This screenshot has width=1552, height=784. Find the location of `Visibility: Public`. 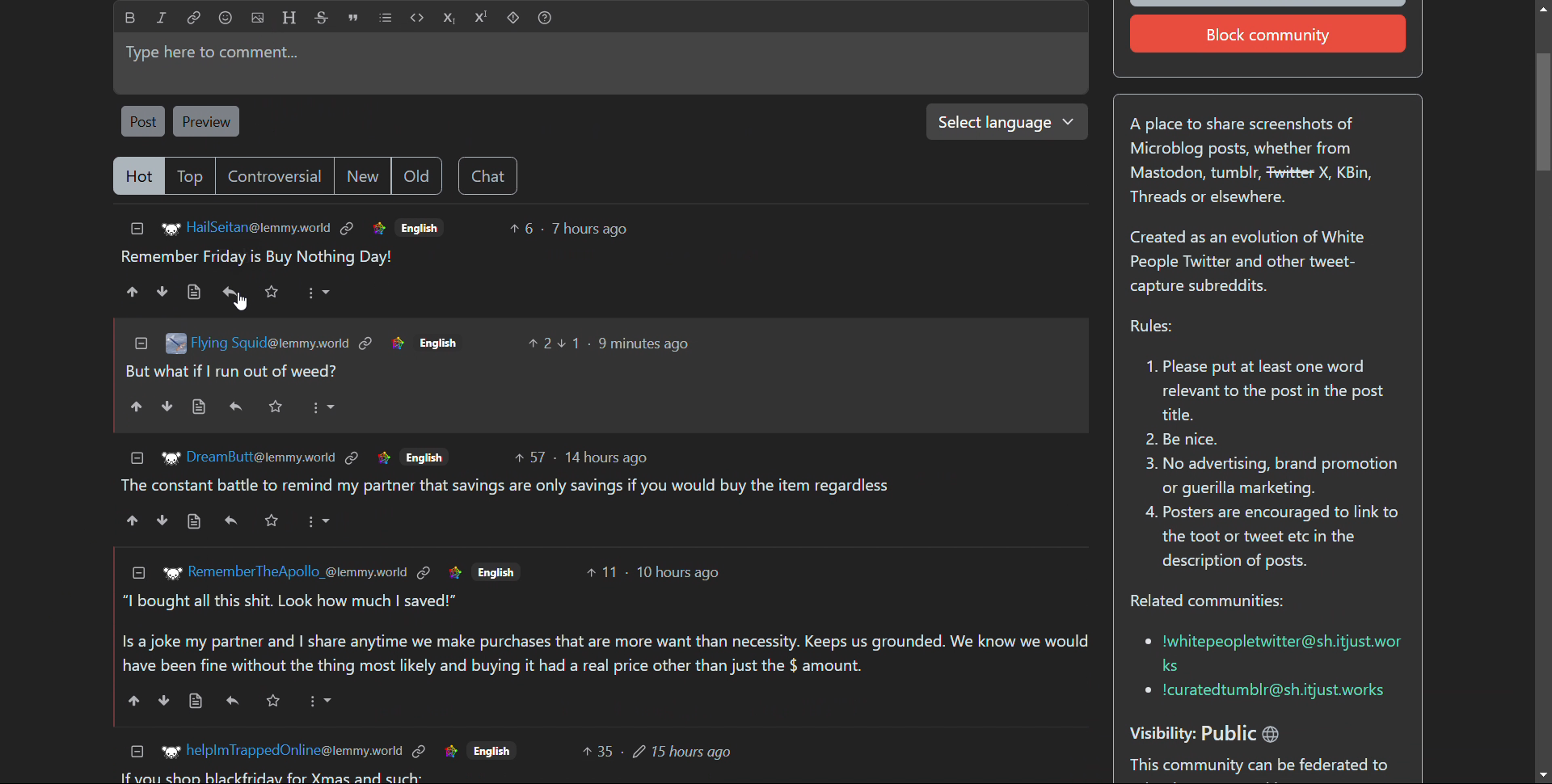

Visibility: Public is located at coordinates (1225, 728).